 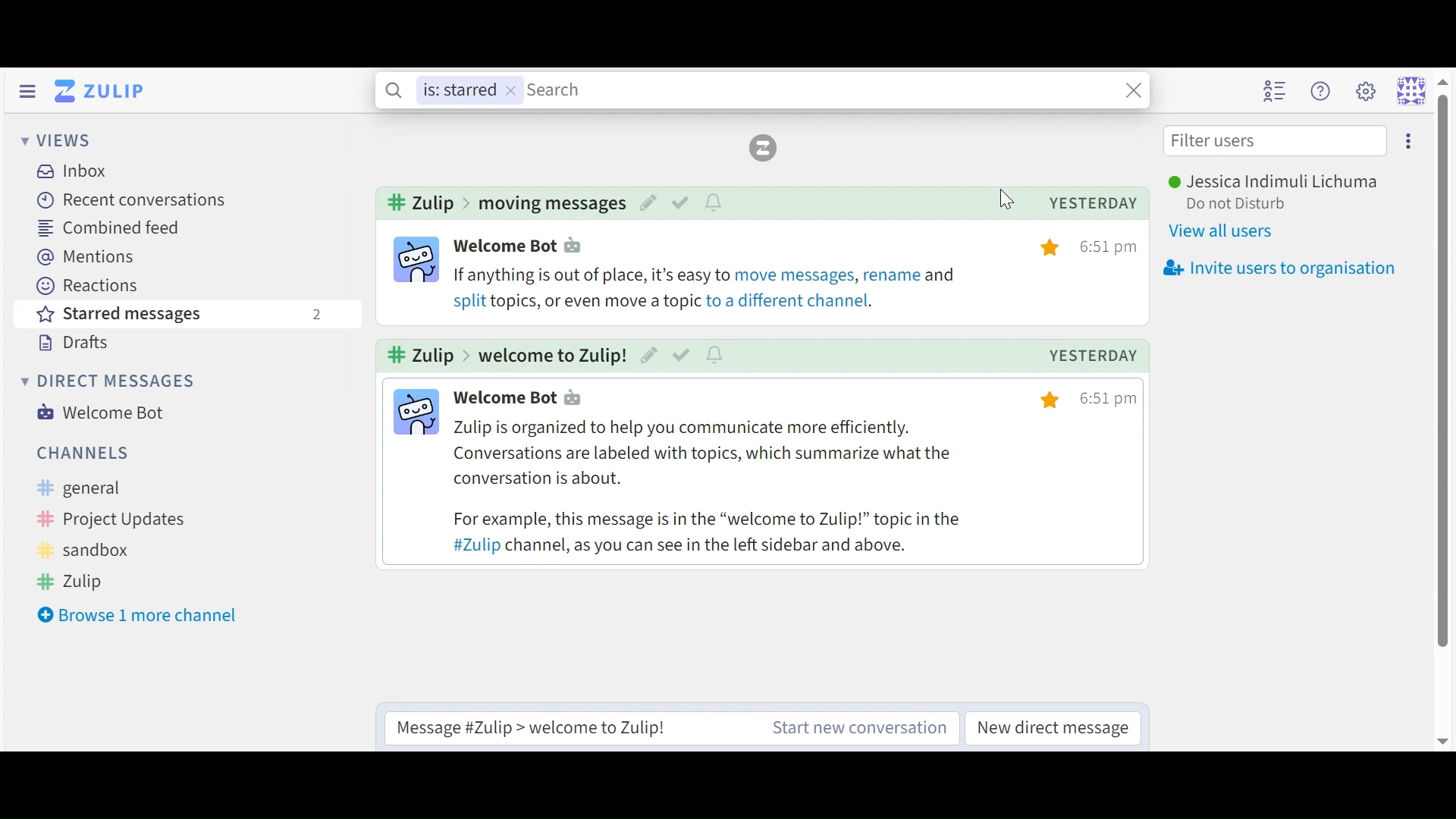 I want to click on message, so click(x=718, y=488).